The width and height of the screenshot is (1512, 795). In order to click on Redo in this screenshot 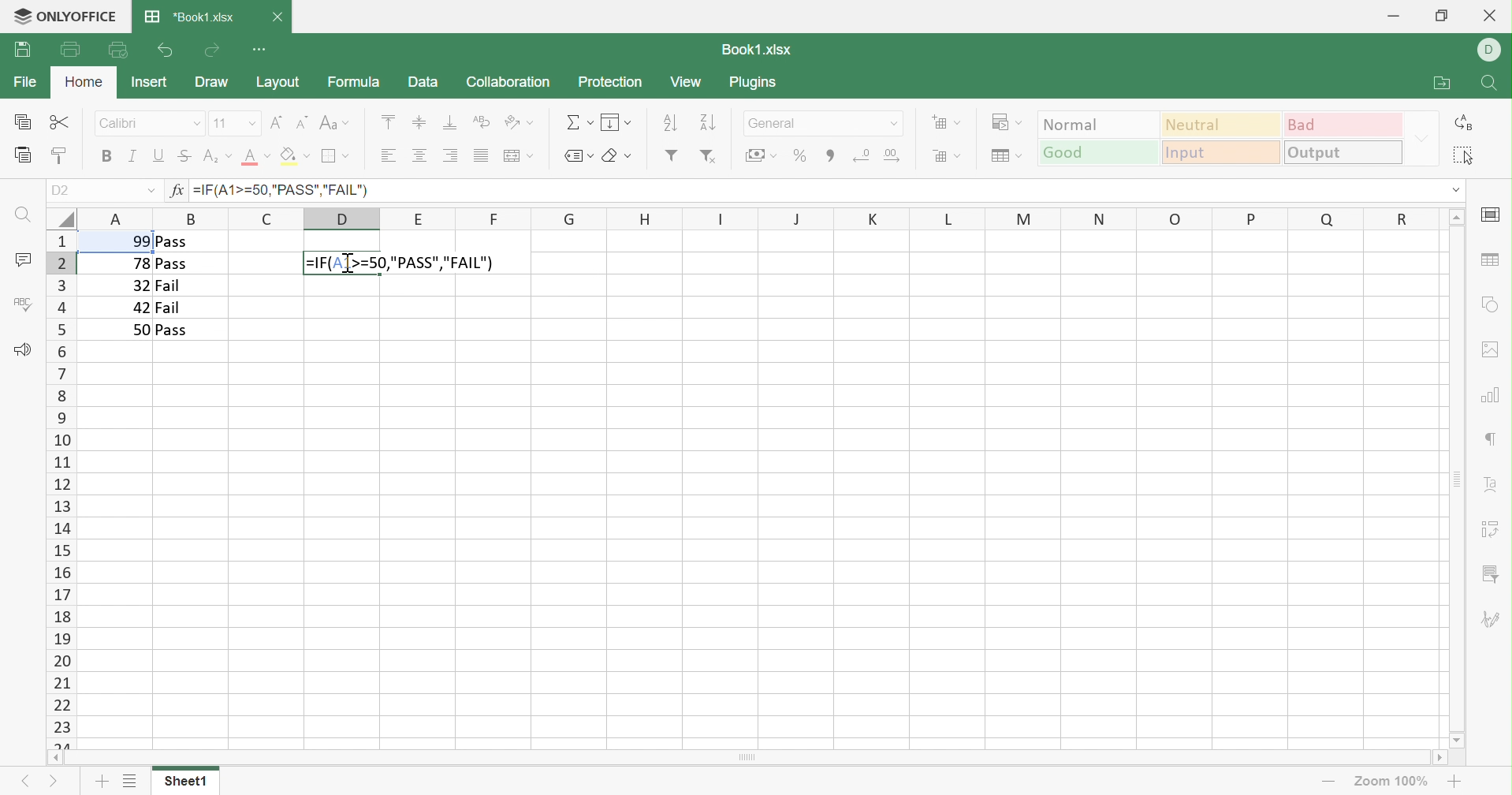, I will do `click(212, 50)`.